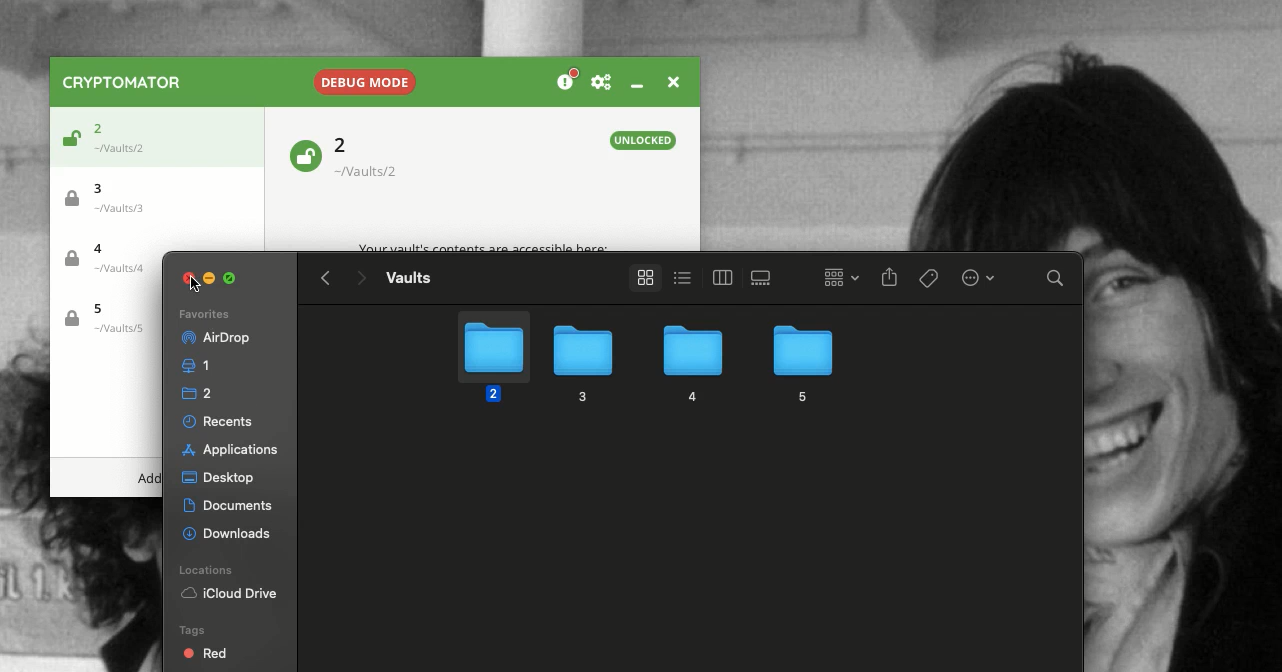 Image resolution: width=1282 pixels, height=672 pixels. What do you see at coordinates (601, 83) in the screenshot?
I see `Preferences` at bounding box center [601, 83].